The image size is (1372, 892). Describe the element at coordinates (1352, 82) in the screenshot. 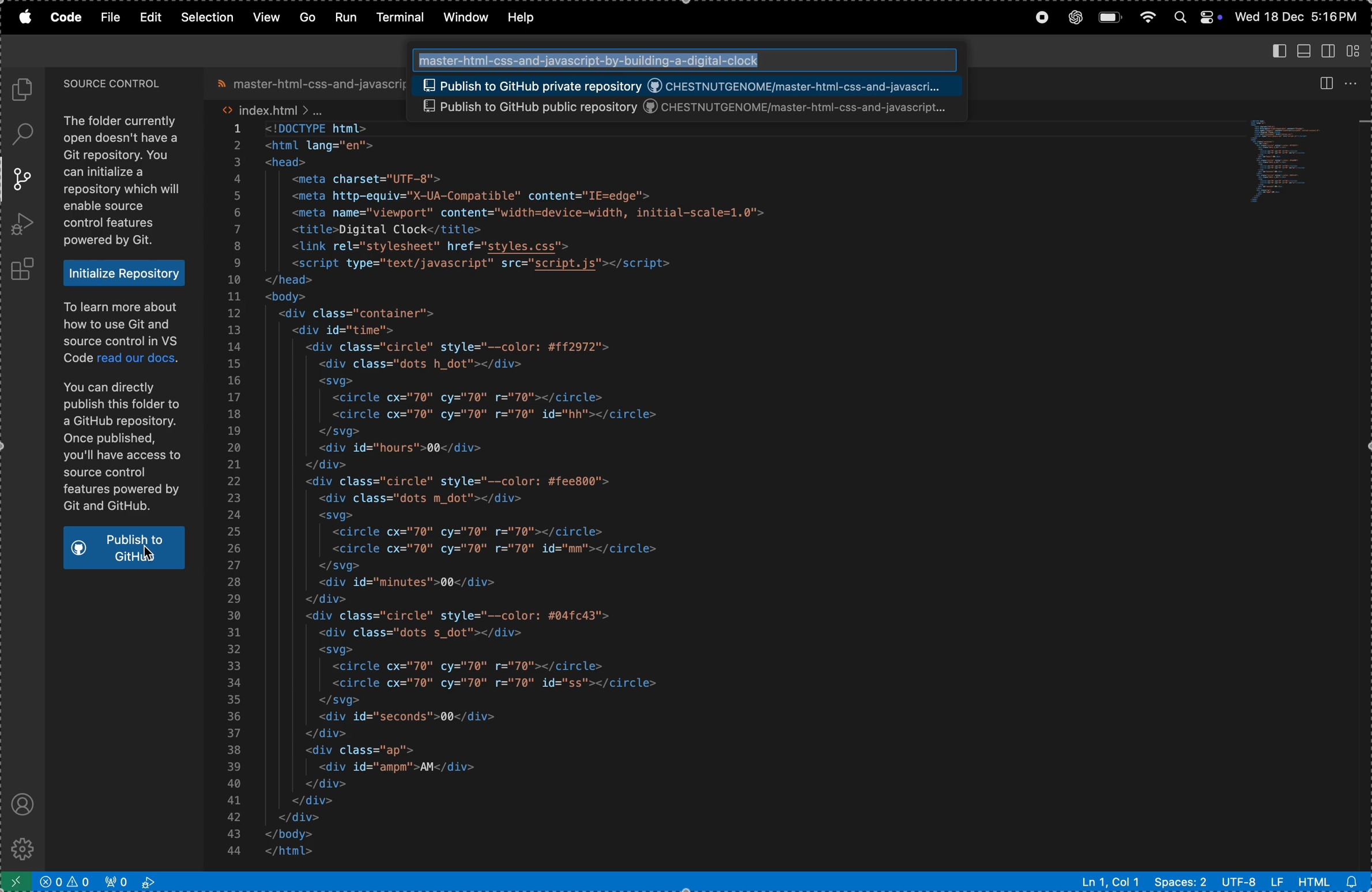

I see `options` at that location.